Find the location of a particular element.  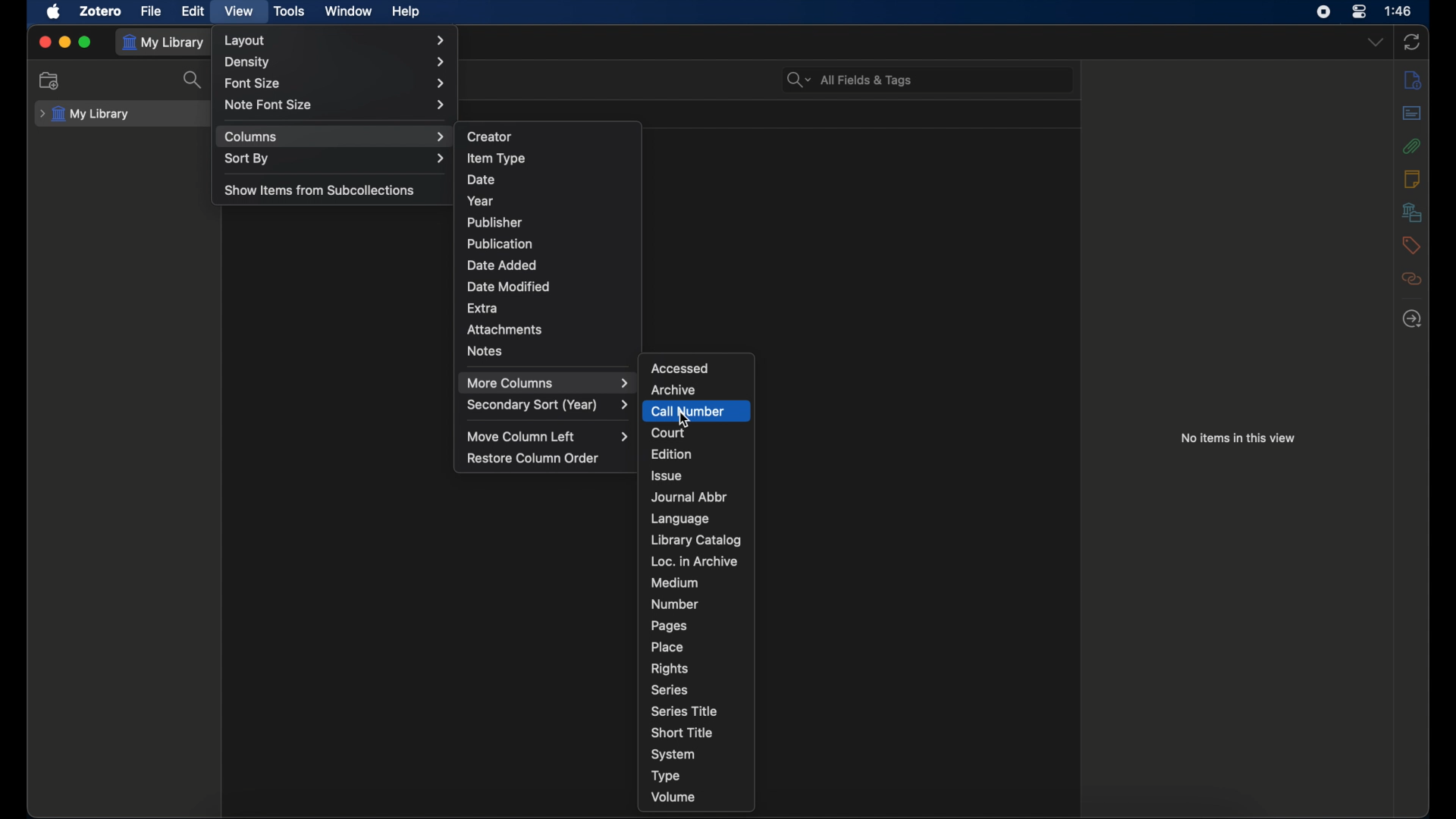

All fields & tags is located at coordinates (850, 80).